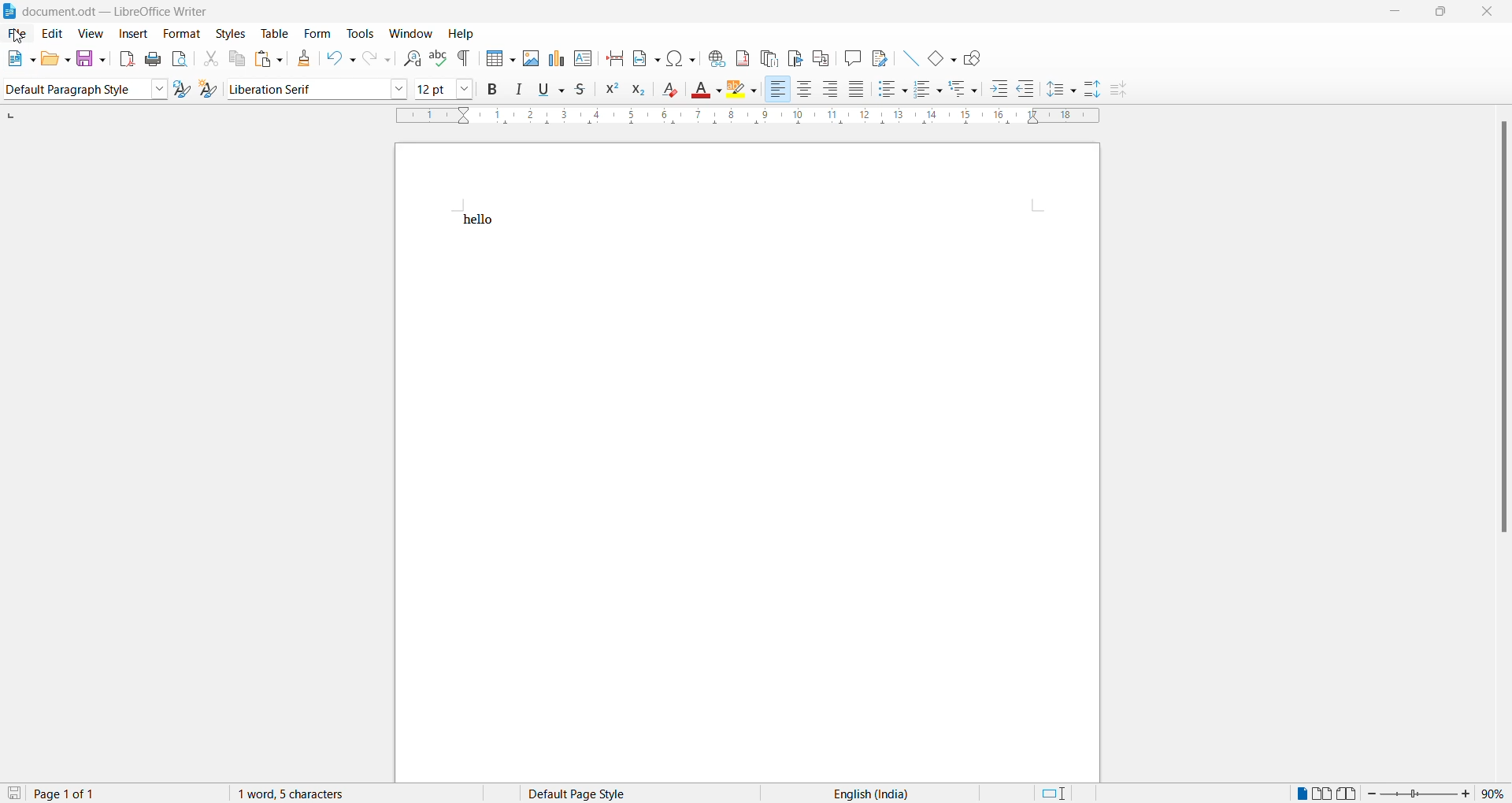 The image size is (1512, 803). What do you see at coordinates (269, 59) in the screenshot?
I see `Paste options` at bounding box center [269, 59].